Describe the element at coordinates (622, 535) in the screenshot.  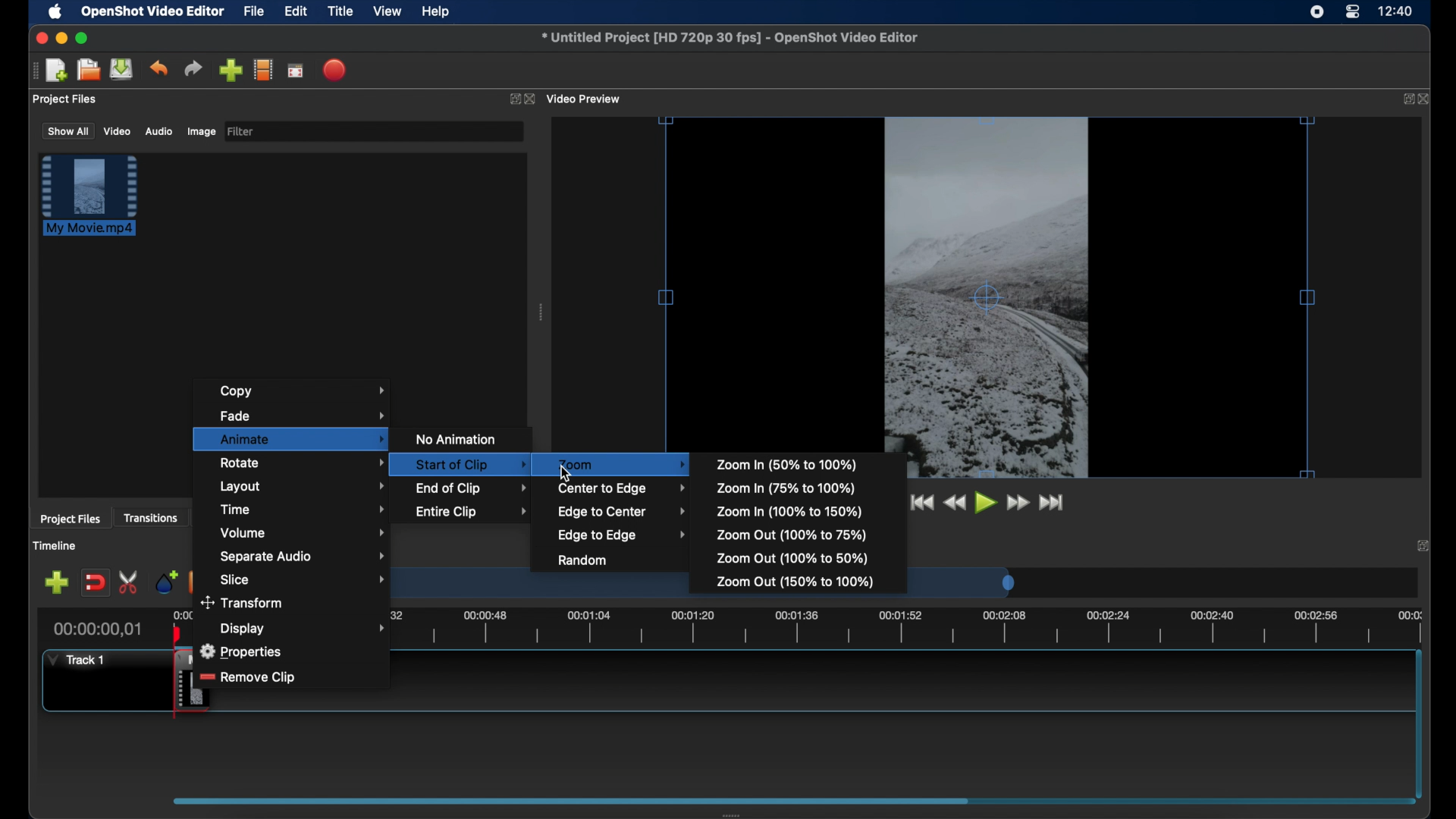
I see `edge to edge` at that location.